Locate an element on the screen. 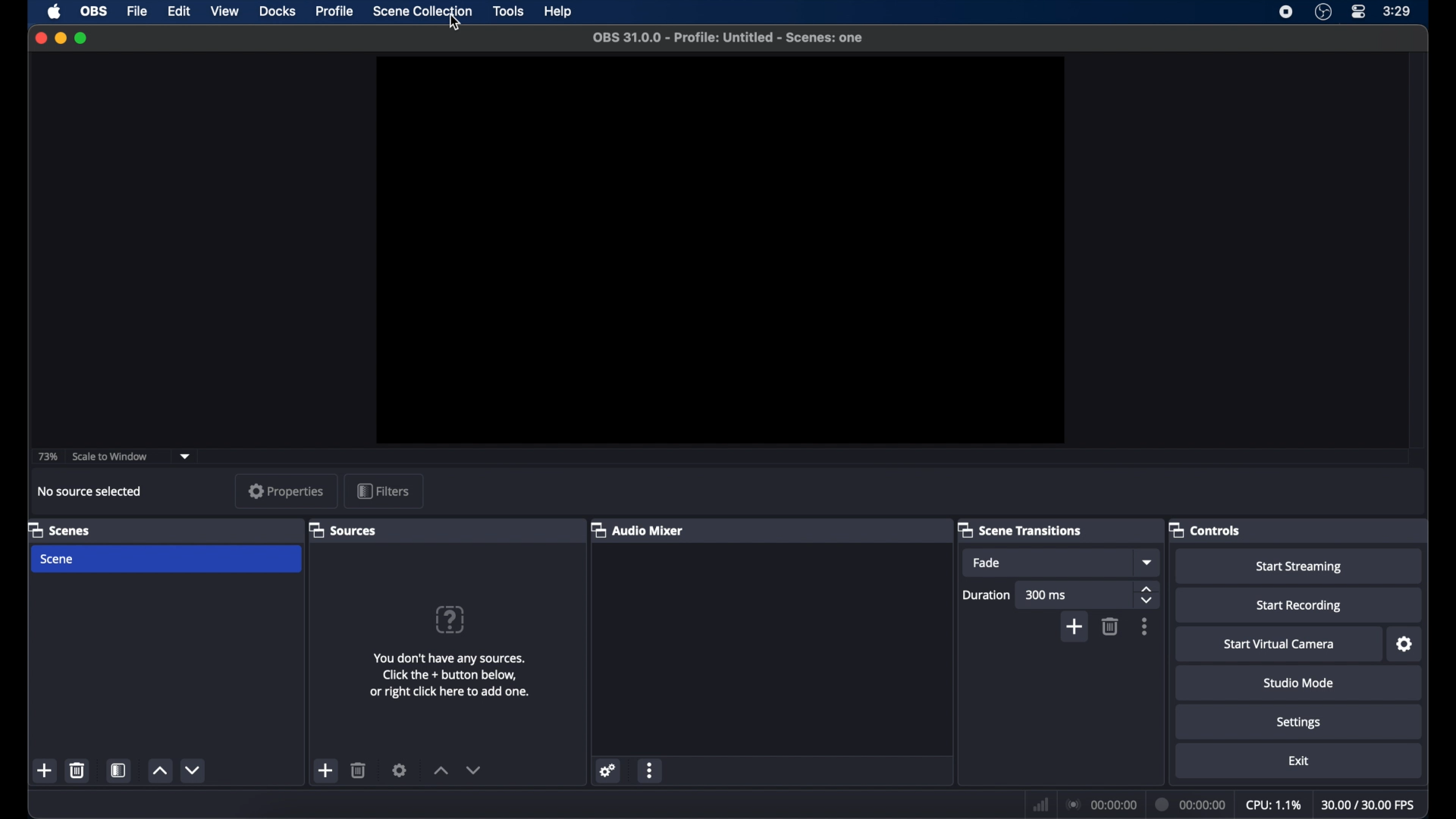  network is located at coordinates (1039, 802).